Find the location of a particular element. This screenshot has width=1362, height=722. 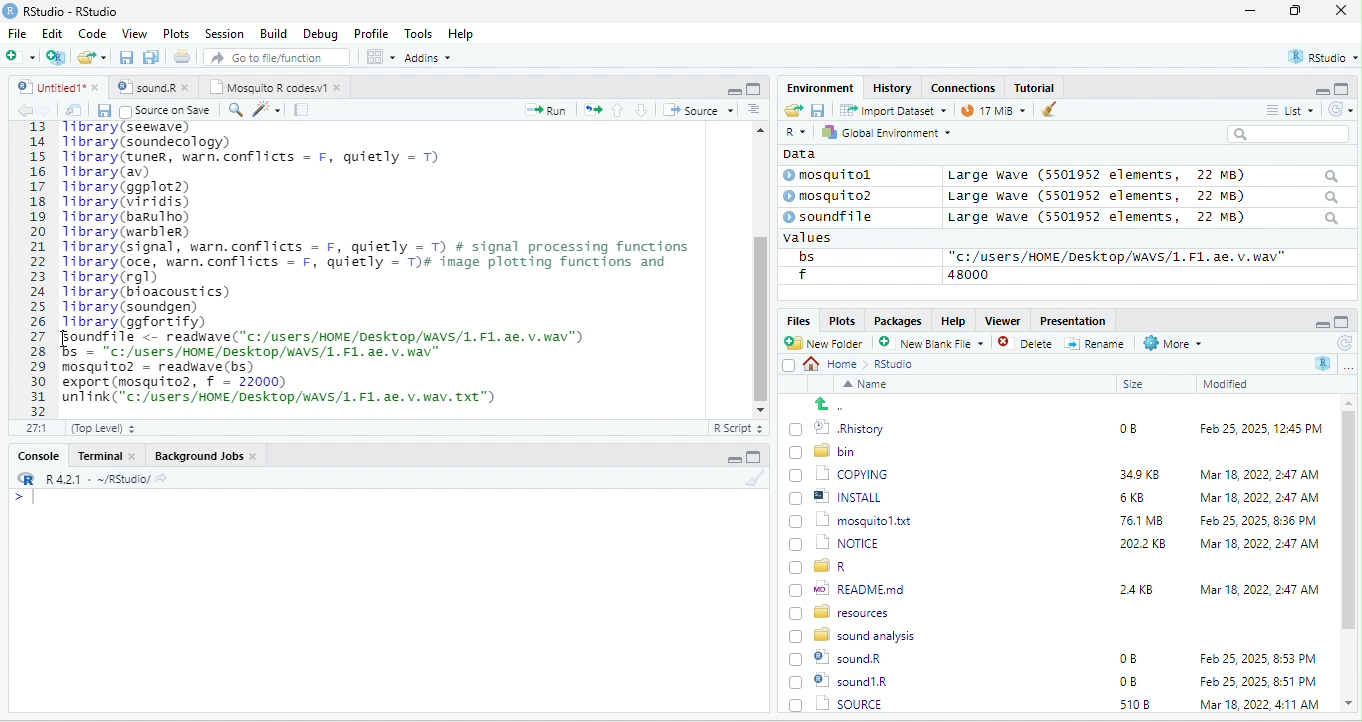

data is located at coordinates (797, 153).